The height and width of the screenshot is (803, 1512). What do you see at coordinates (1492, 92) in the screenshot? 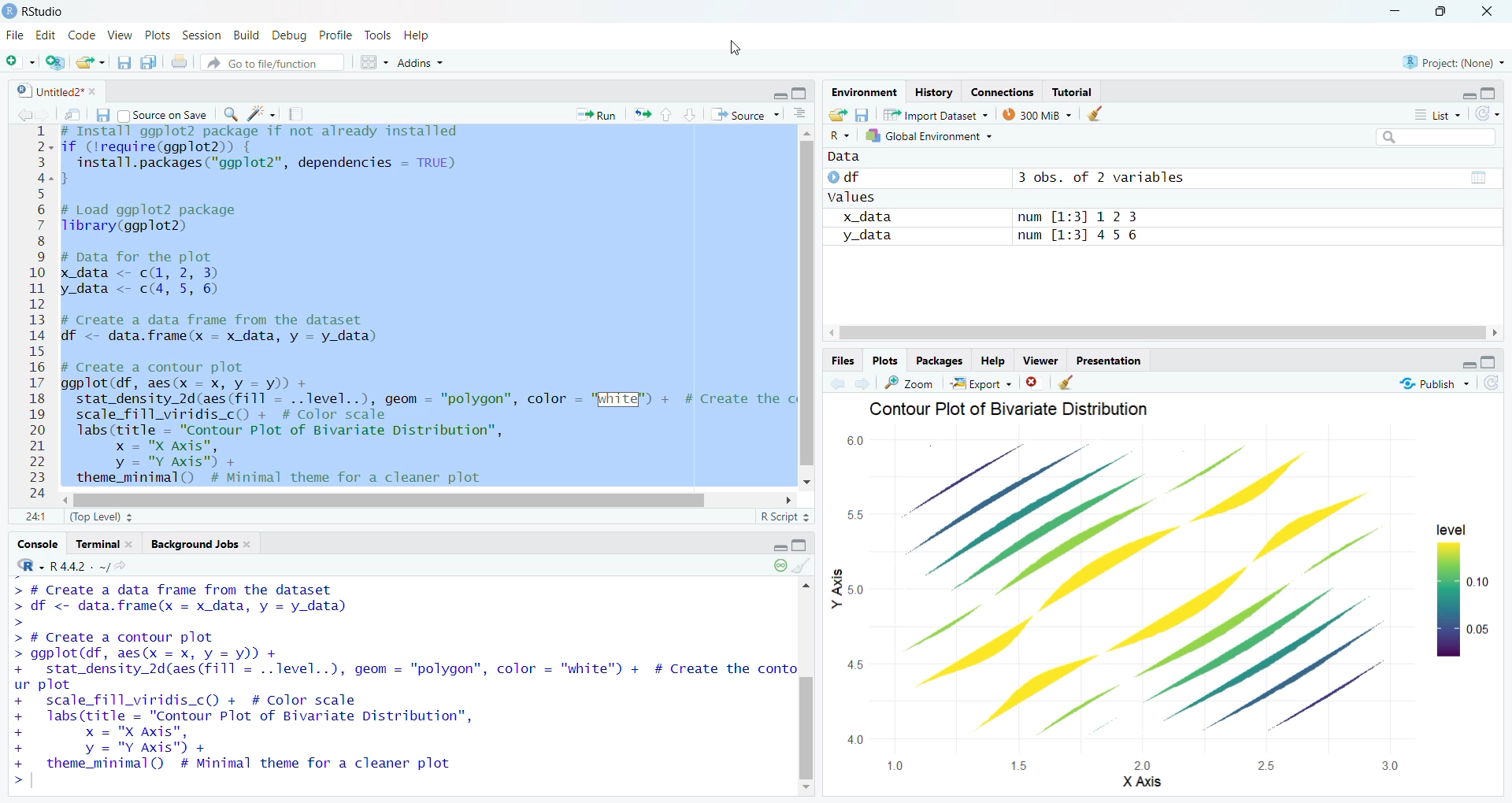
I see `hide console` at bounding box center [1492, 92].